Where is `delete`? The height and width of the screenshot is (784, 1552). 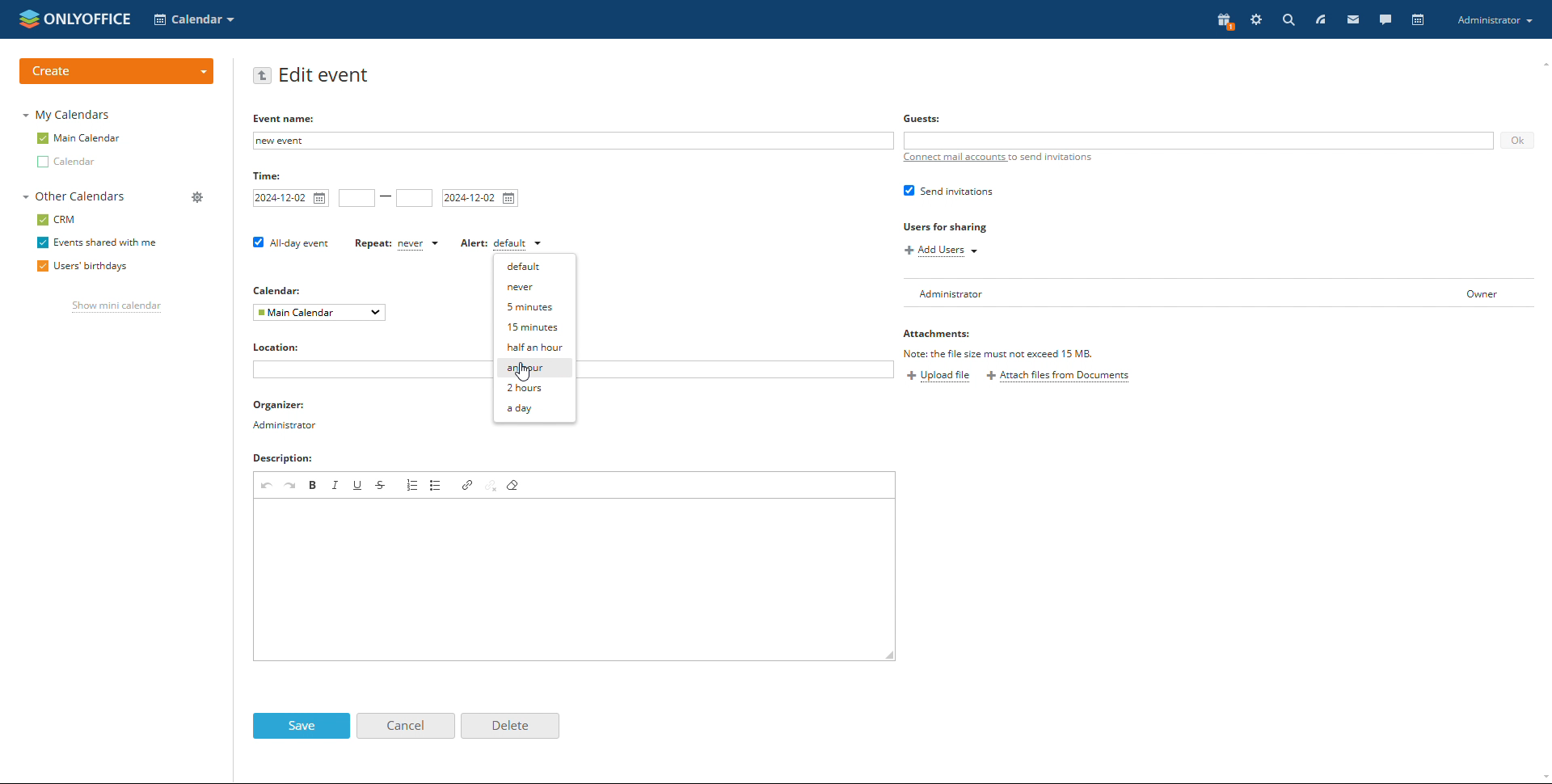
delete is located at coordinates (511, 726).